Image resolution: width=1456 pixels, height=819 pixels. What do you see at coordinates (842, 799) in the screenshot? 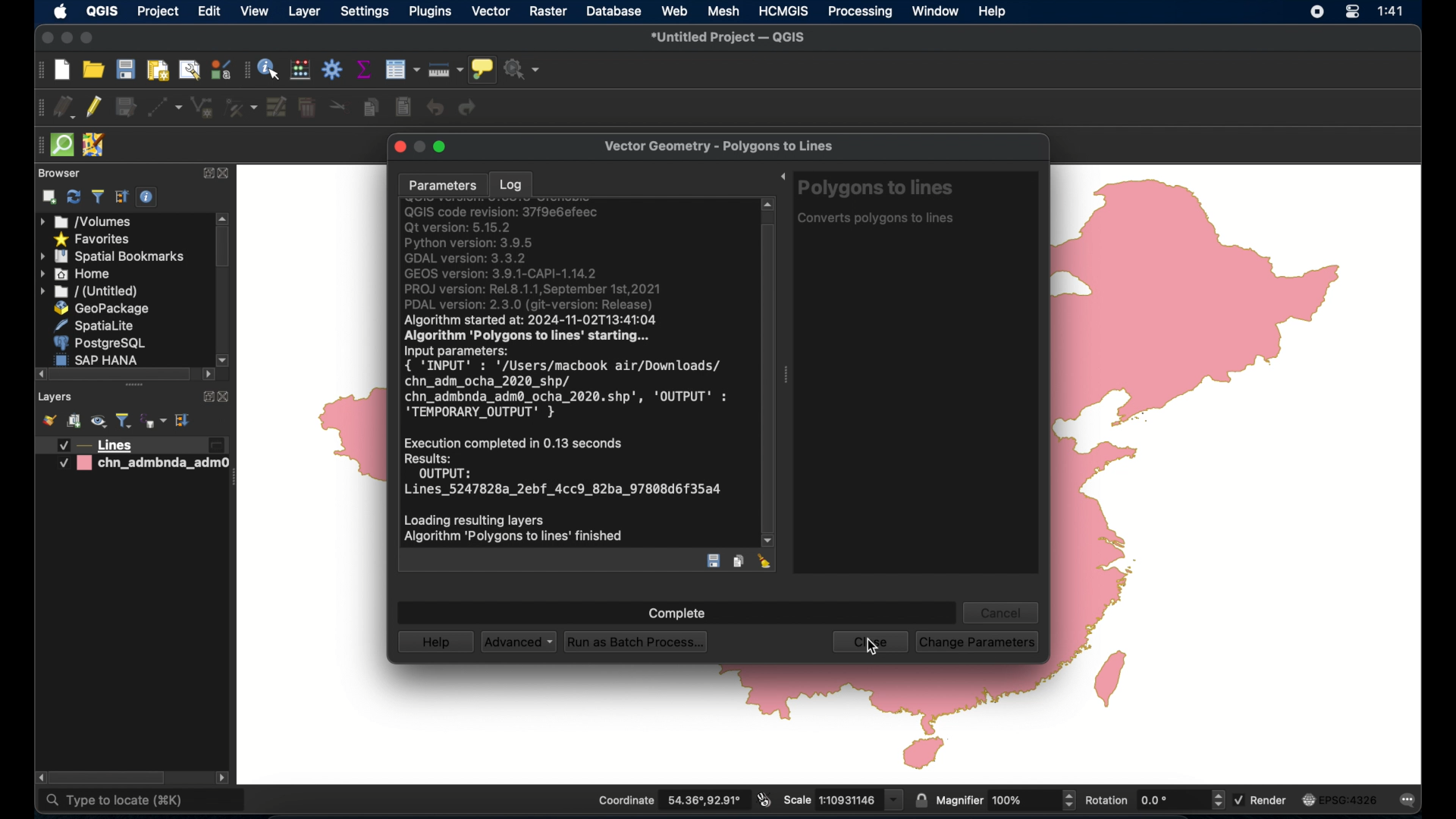
I see `scale` at bounding box center [842, 799].